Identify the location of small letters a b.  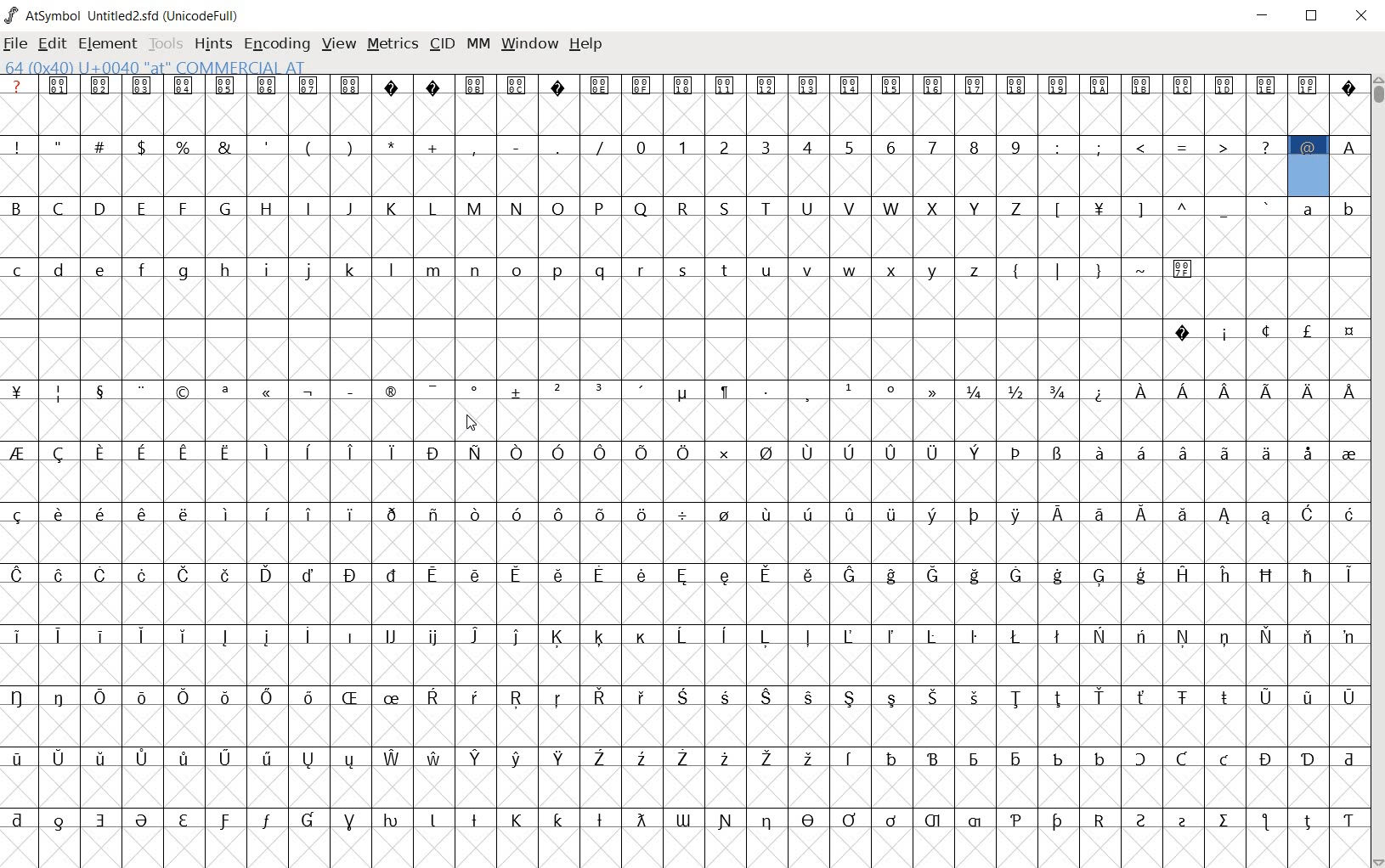
(1329, 207).